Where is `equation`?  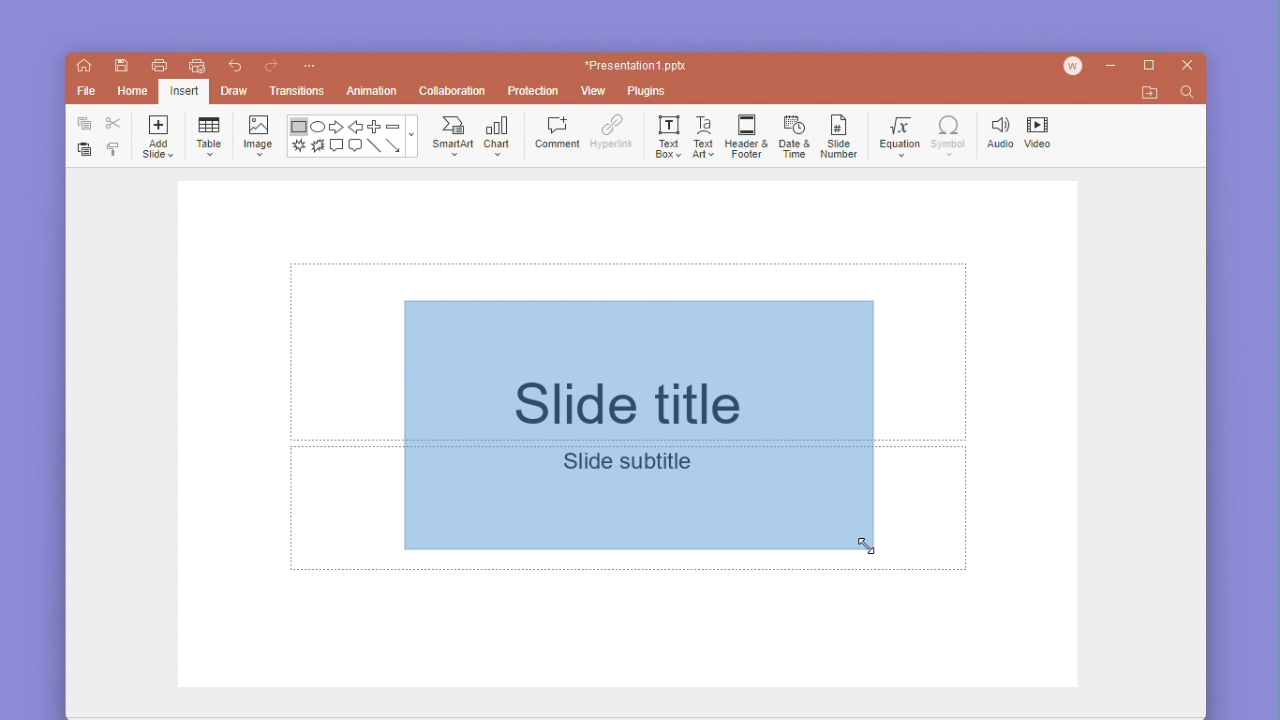 equation is located at coordinates (896, 132).